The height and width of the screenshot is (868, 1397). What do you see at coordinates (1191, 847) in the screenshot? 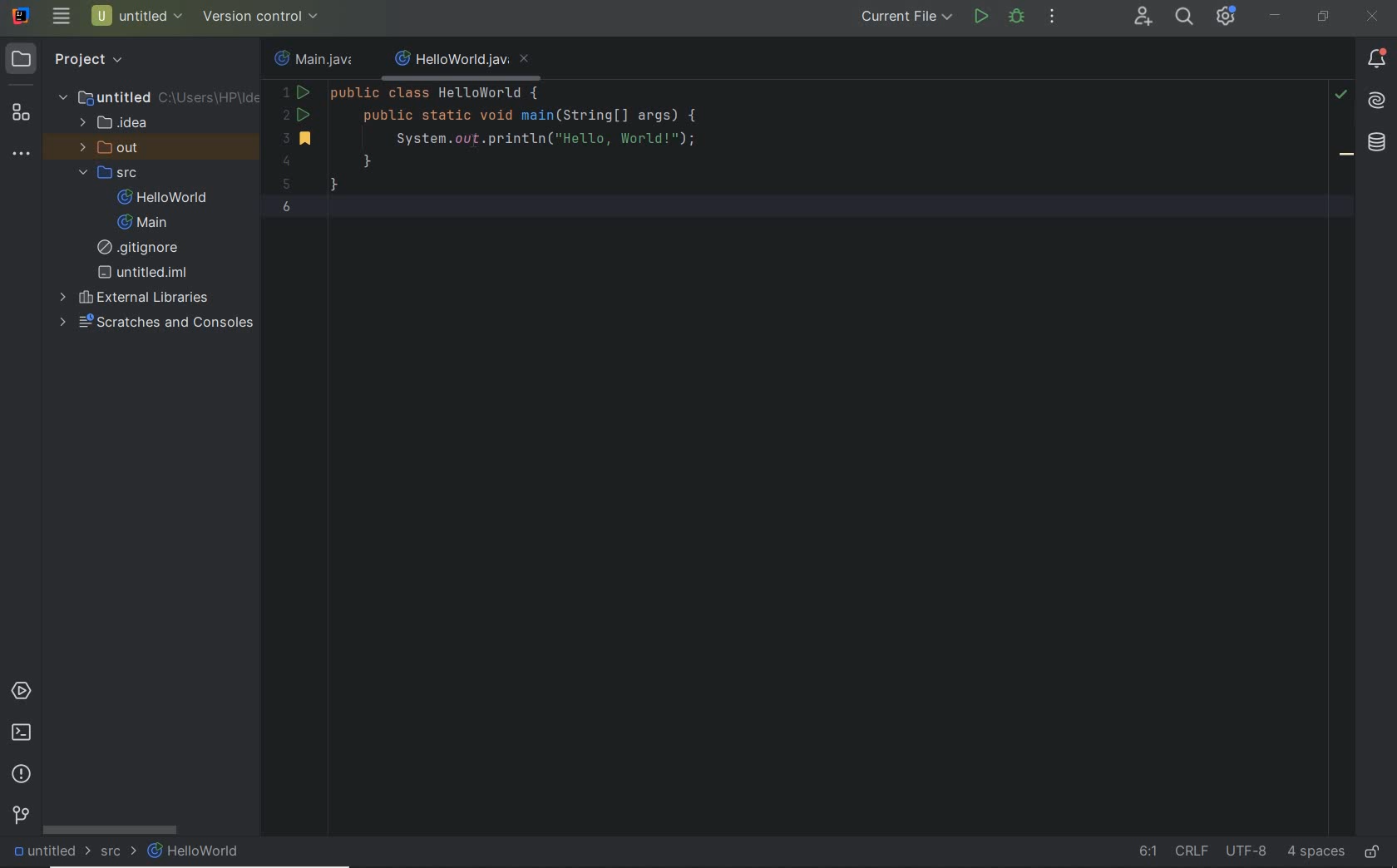
I see `CRLF(line separator)` at bounding box center [1191, 847].